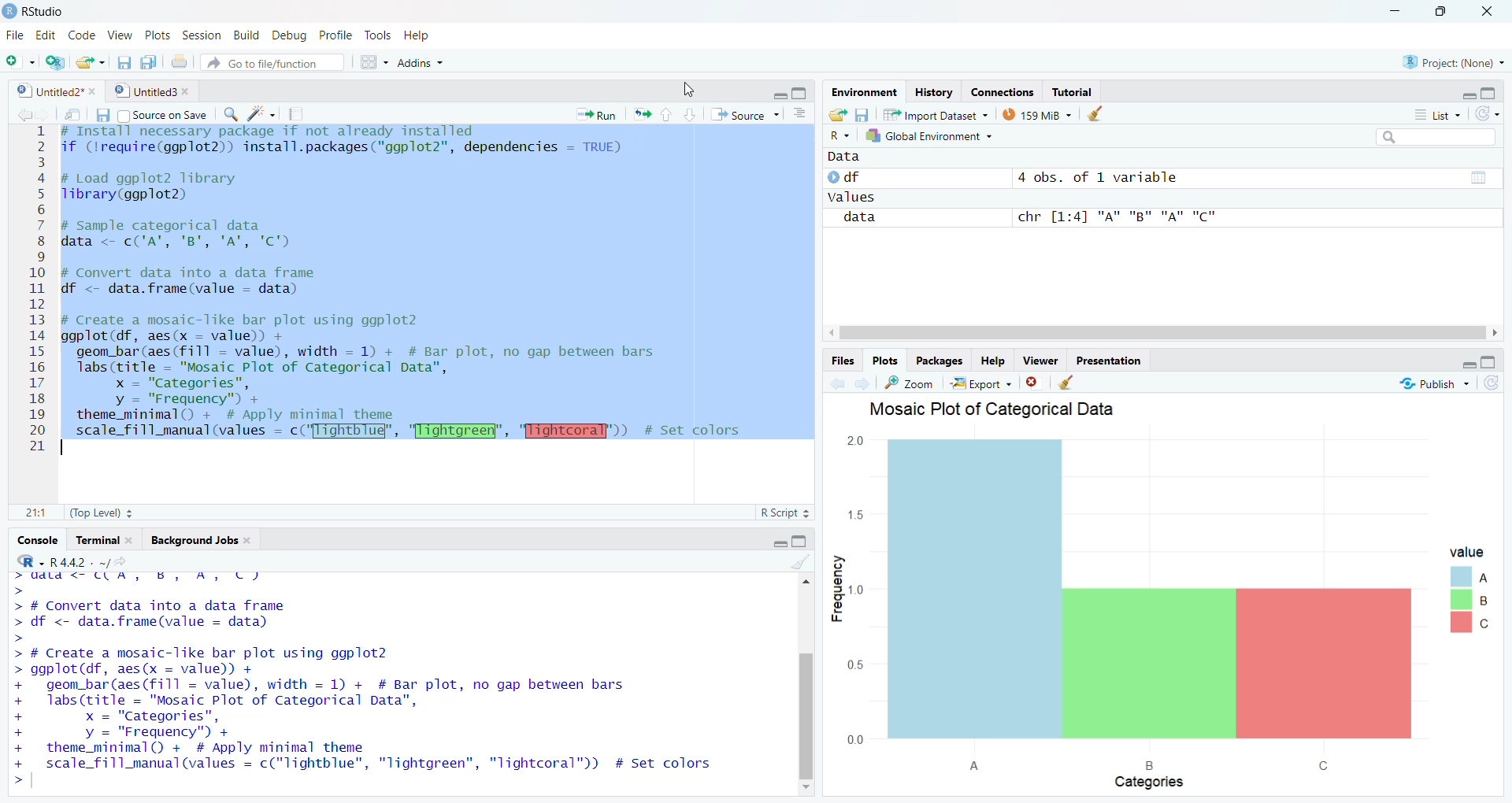 The image size is (1512, 803). I want to click on Session, so click(202, 37).